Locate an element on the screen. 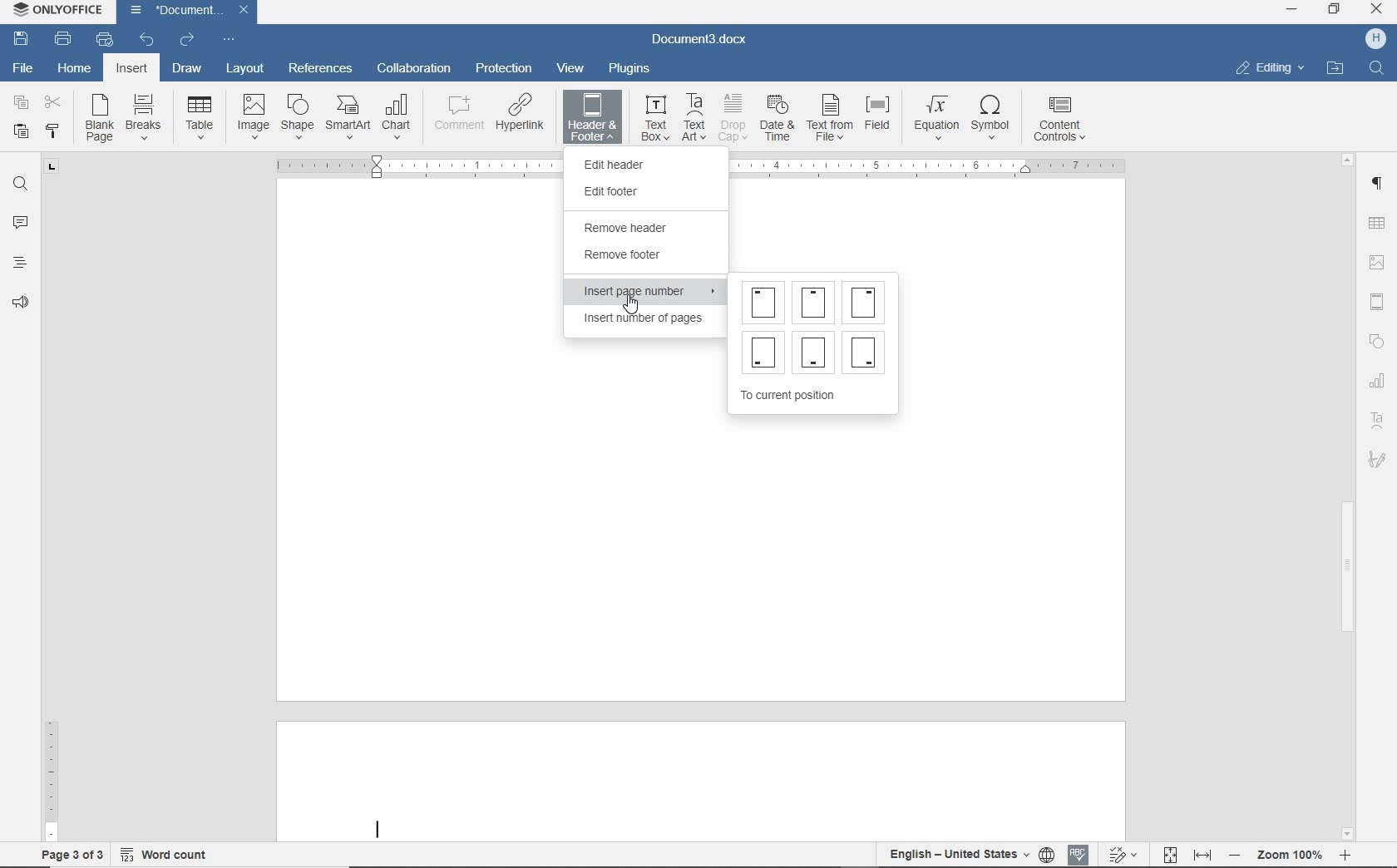 Image resolution: width=1397 pixels, height=868 pixels. CUT is located at coordinates (53, 103).